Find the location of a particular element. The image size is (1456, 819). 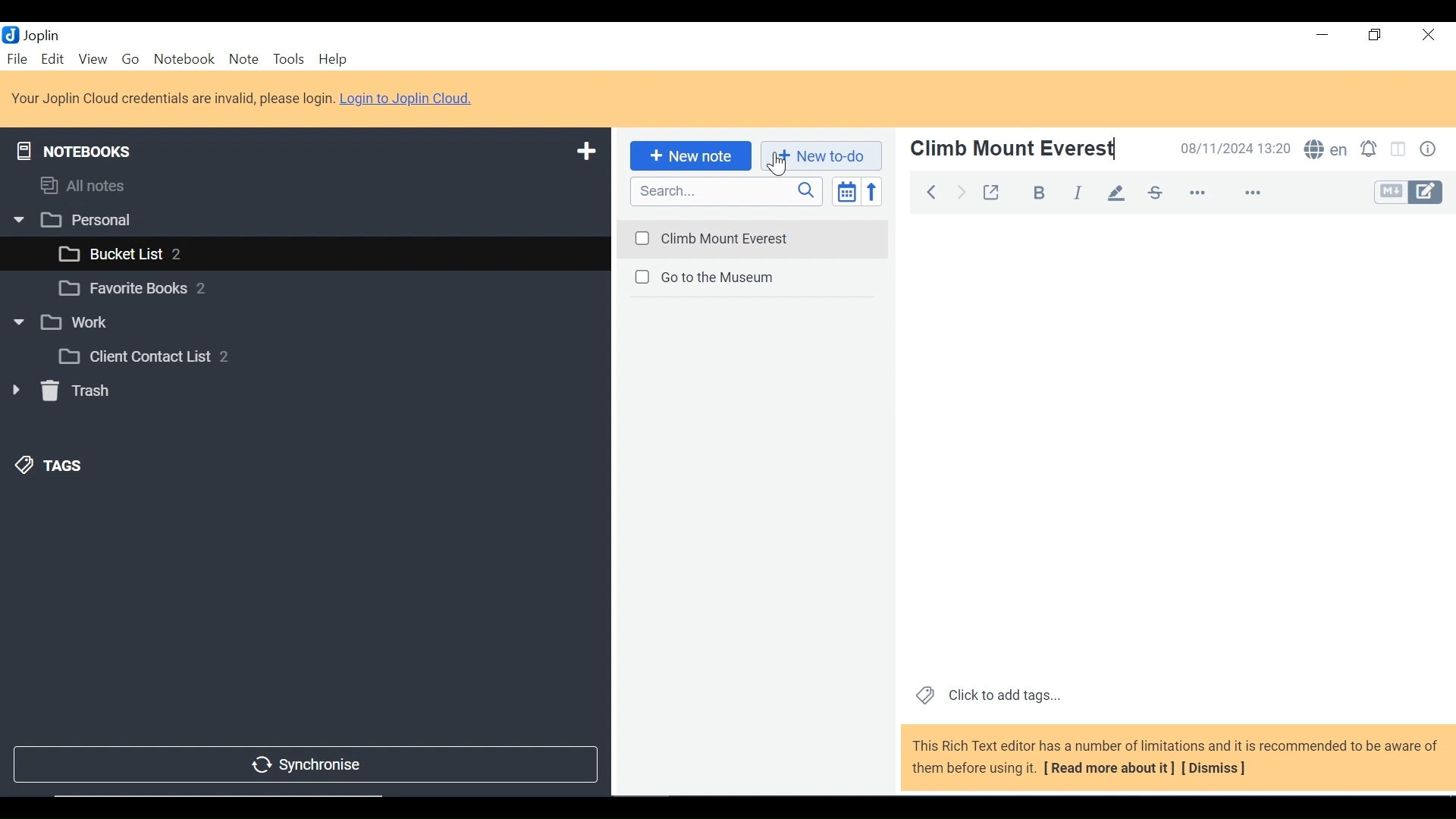

Highlight is located at coordinates (1121, 192).